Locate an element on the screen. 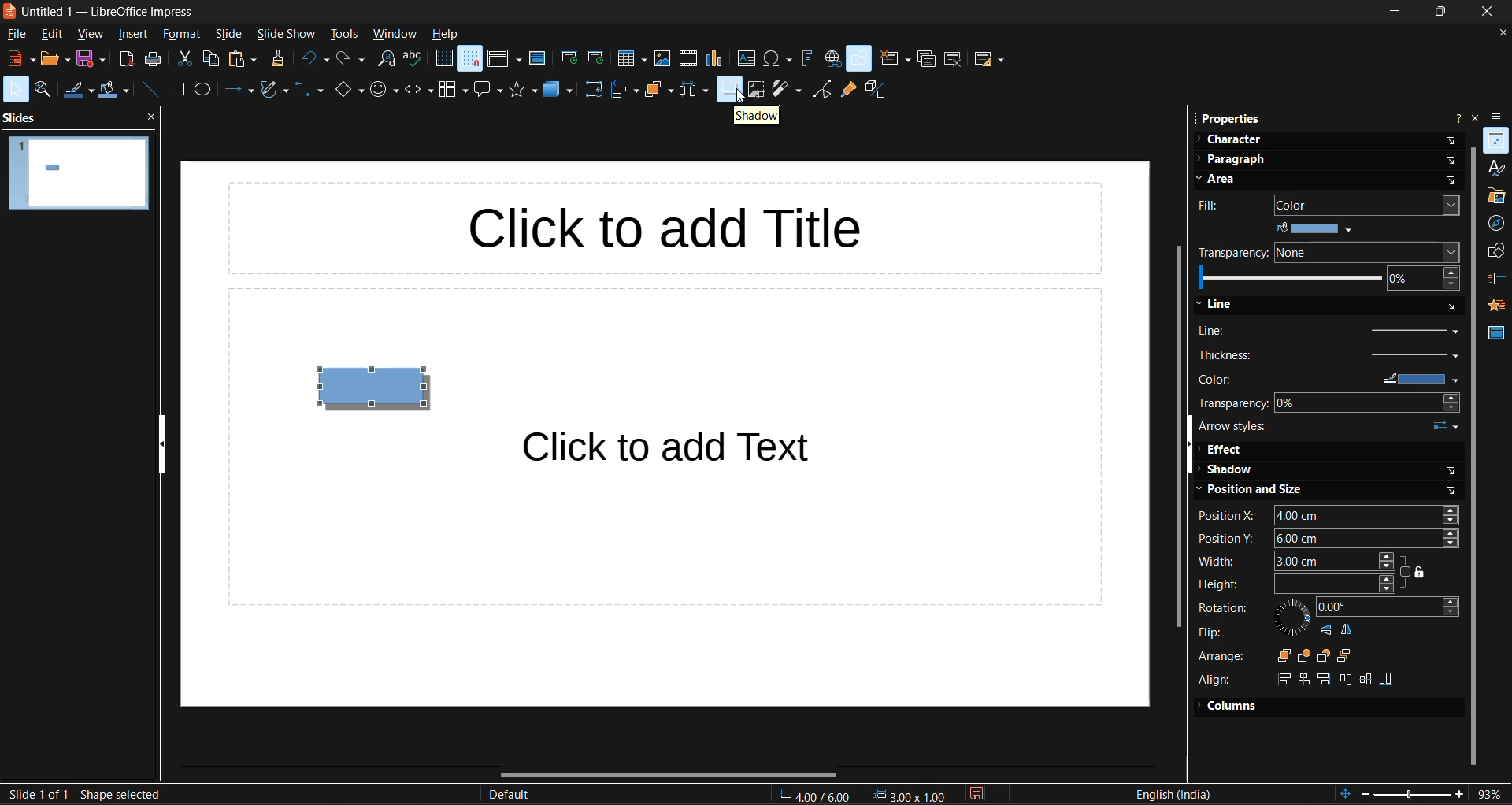 The width and height of the screenshot is (1512, 805). callout shapes is located at coordinates (488, 92).